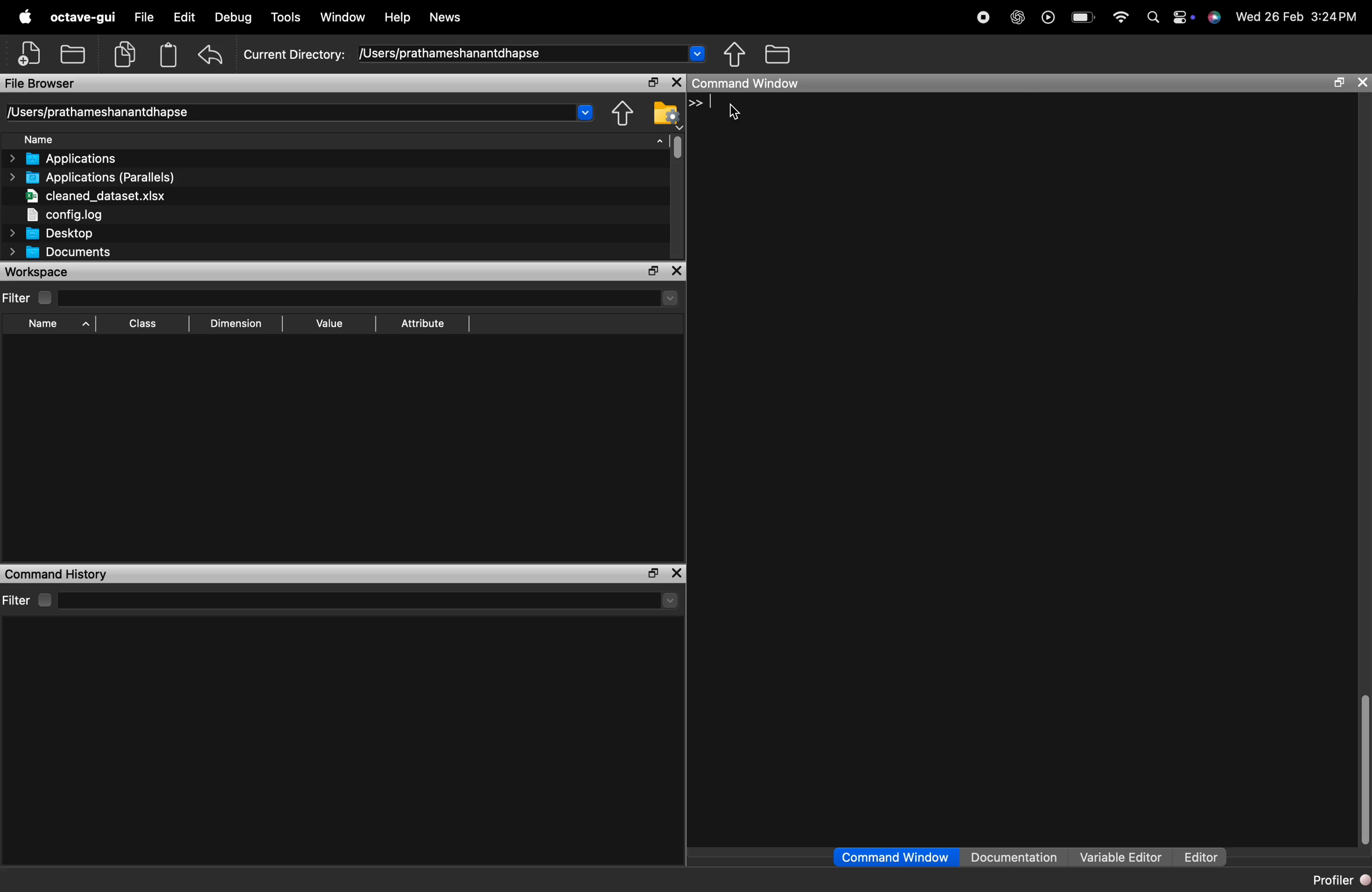 Image resolution: width=1372 pixels, height=892 pixels. Describe the element at coordinates (1336, 17) in the screenshot. I see `3:24PM` at that location.